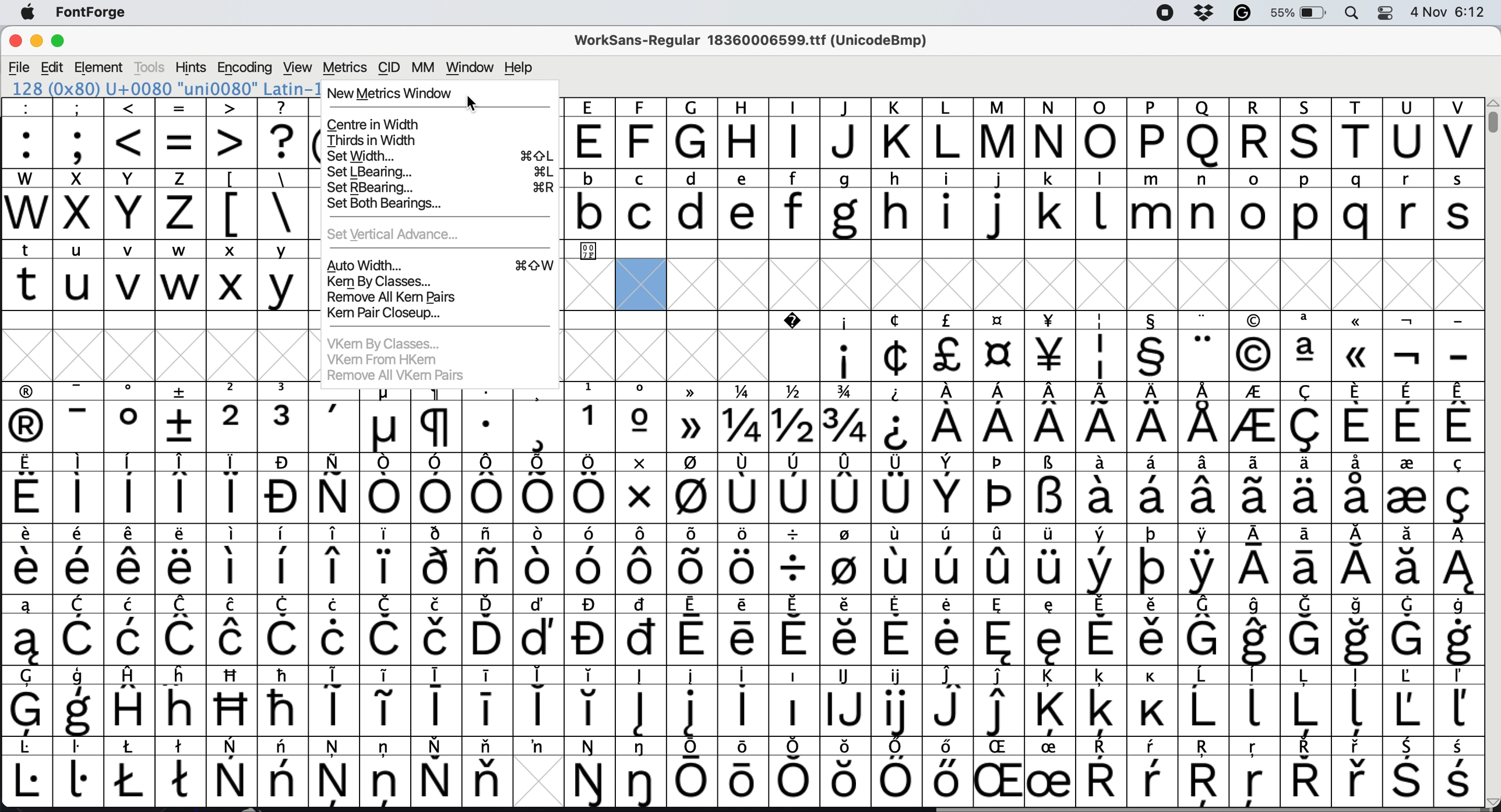 The height and width of the screenshot is (812, 1501). Describe the element at coordinates (165, 143) in the screenshot. I see `special characters` at that location.